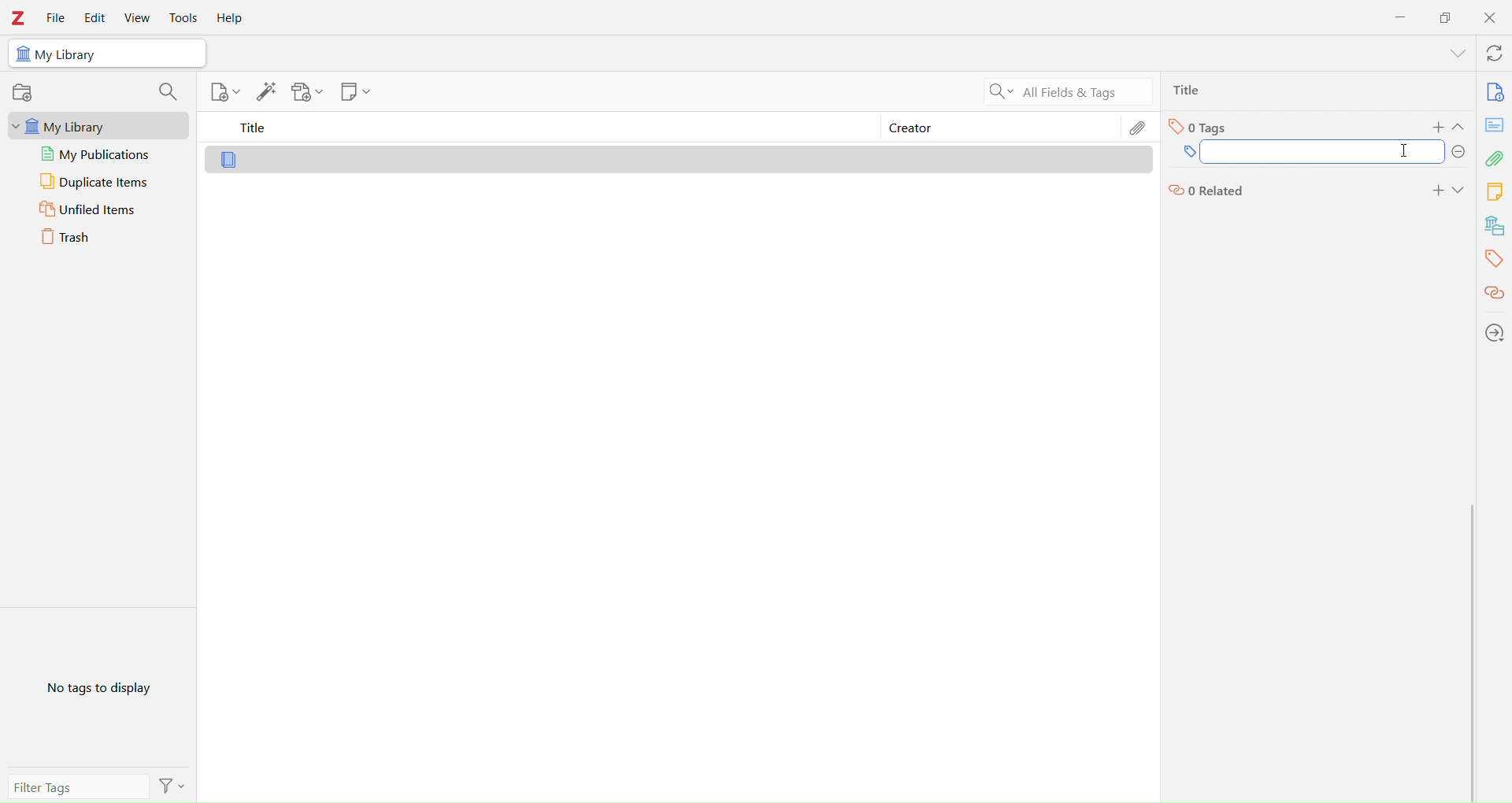  What do you see at coordinates (140, 18) in the screenshot?
I see `View` at bounding box center [140, 18].